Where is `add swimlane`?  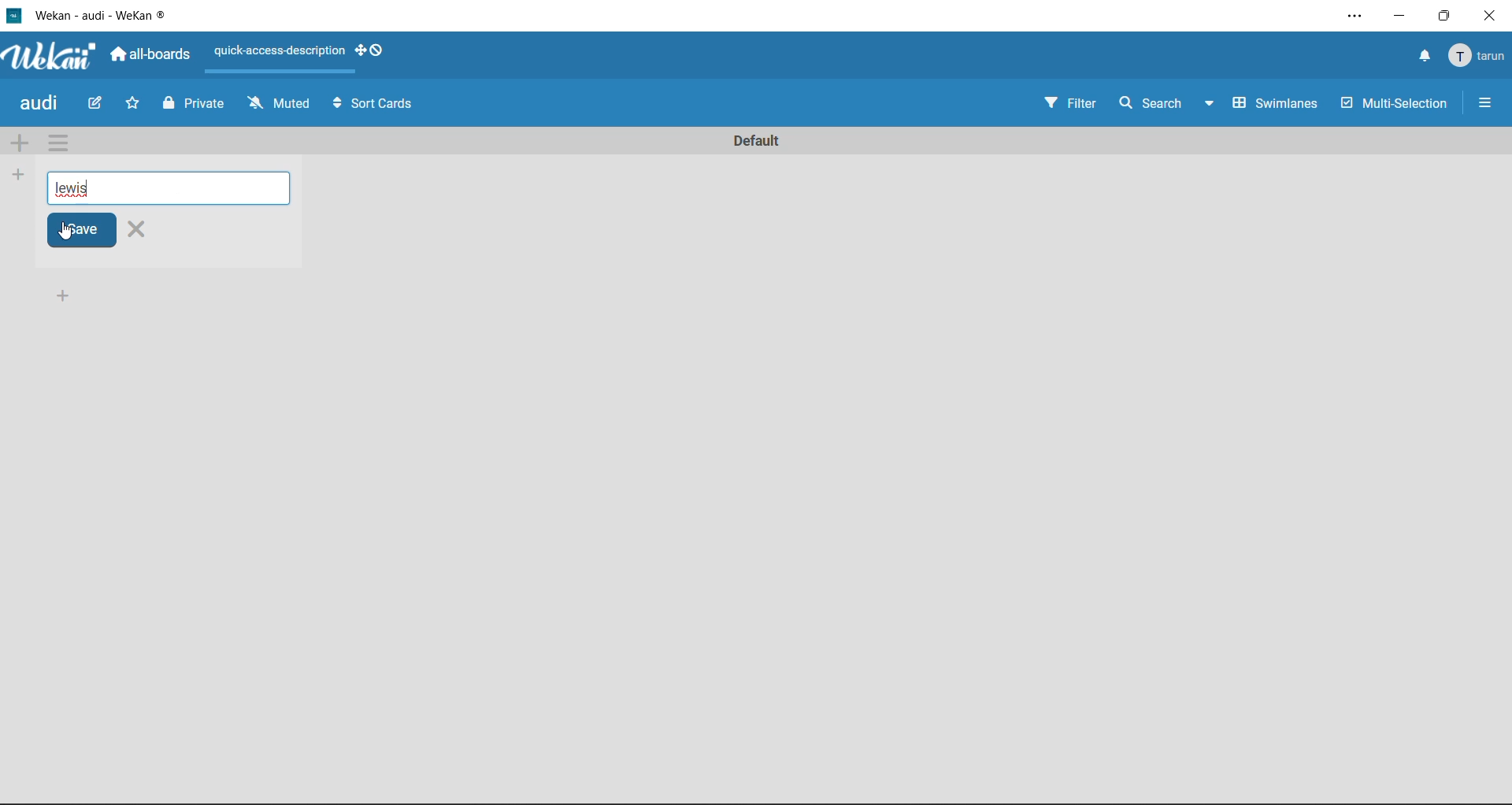
add swimlane is located at coordinates (20, 145).